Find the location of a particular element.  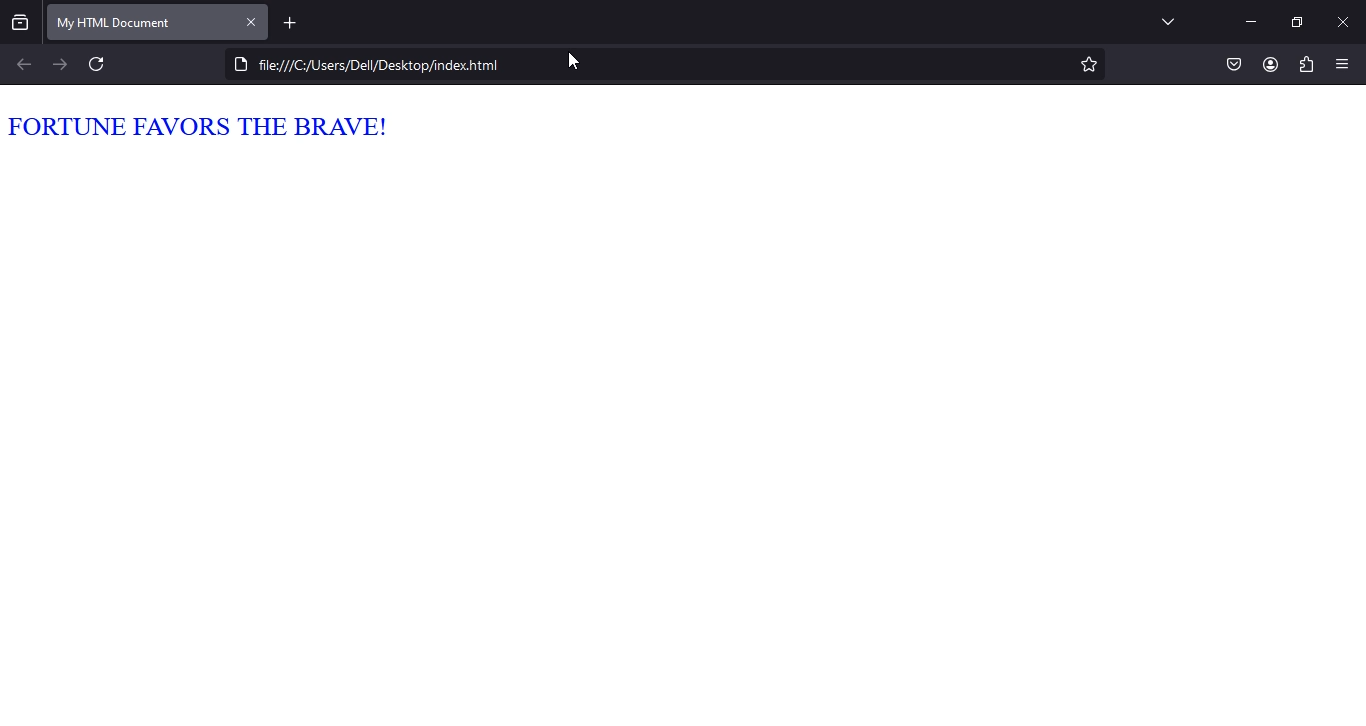

restore window is located at coordinates (1298, 21).